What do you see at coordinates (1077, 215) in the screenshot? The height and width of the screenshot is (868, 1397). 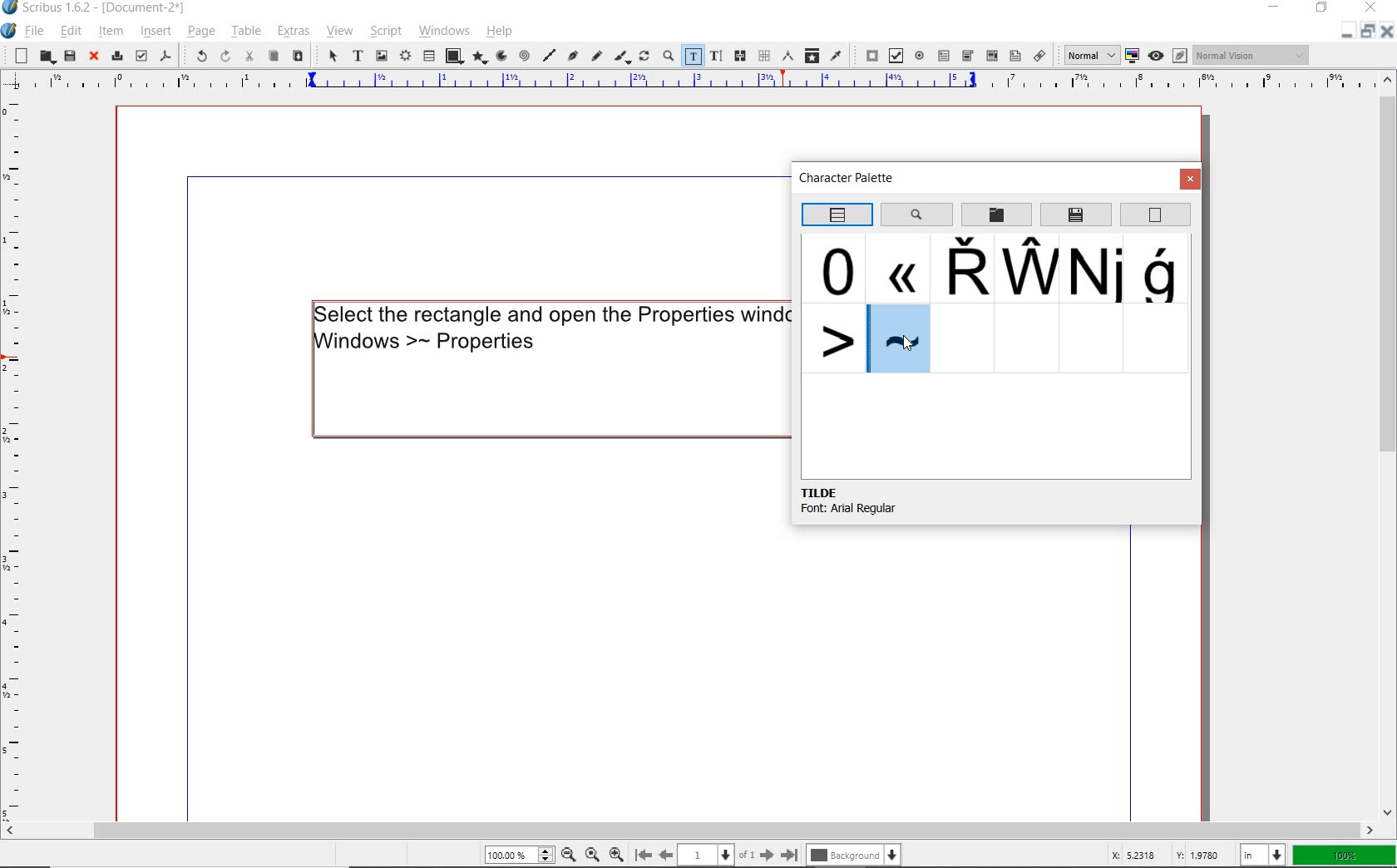 I see `save the character palette` at bounding box center [1077, 215].